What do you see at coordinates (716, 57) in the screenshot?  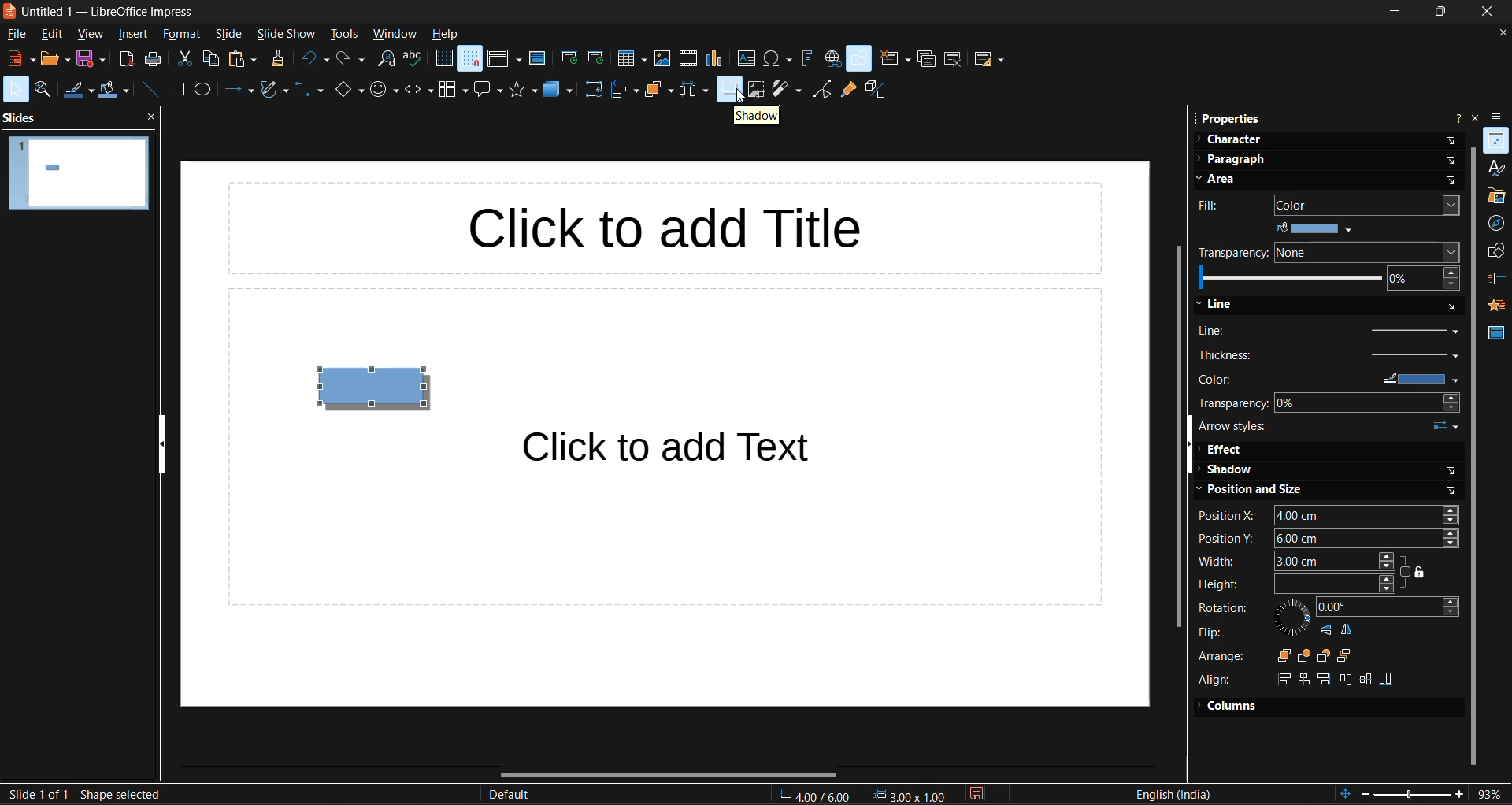 I see `insert chart` at bounding box center [716, 57].